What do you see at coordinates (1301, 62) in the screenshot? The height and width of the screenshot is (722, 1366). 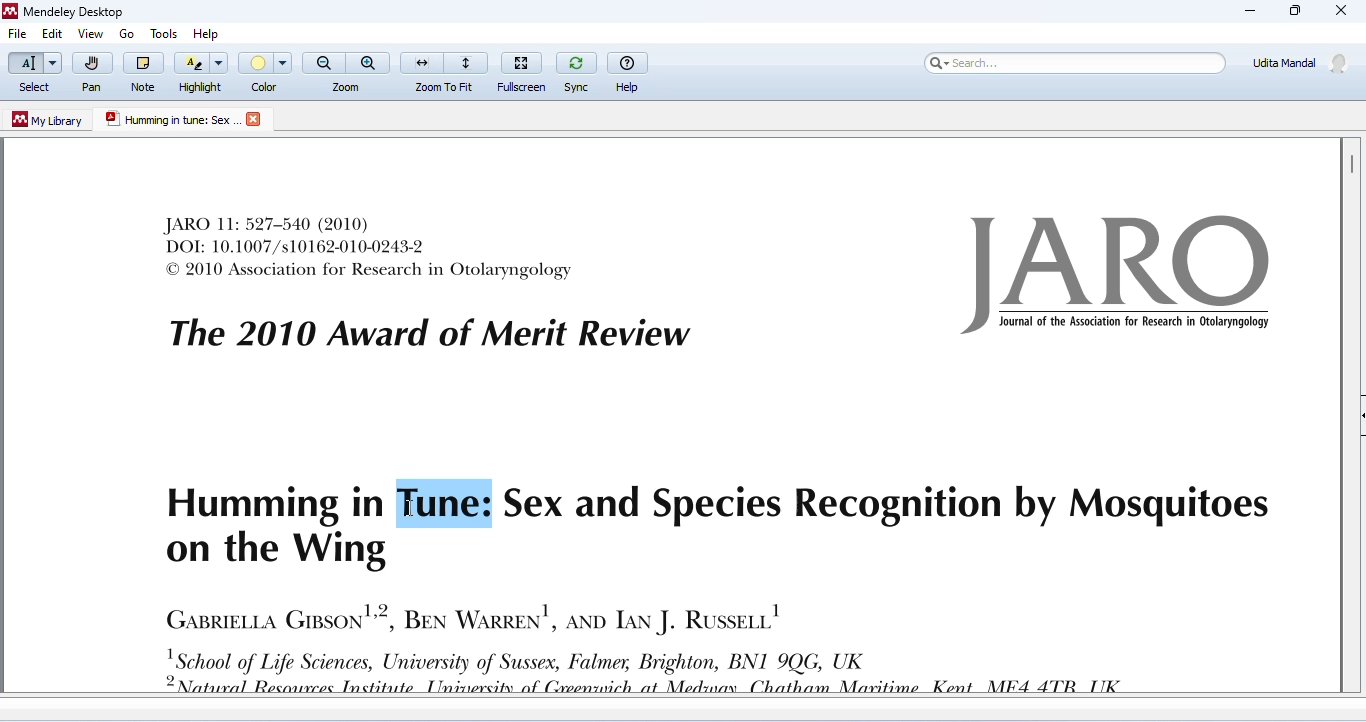 I see `account` at bounding box center [1301, 62].